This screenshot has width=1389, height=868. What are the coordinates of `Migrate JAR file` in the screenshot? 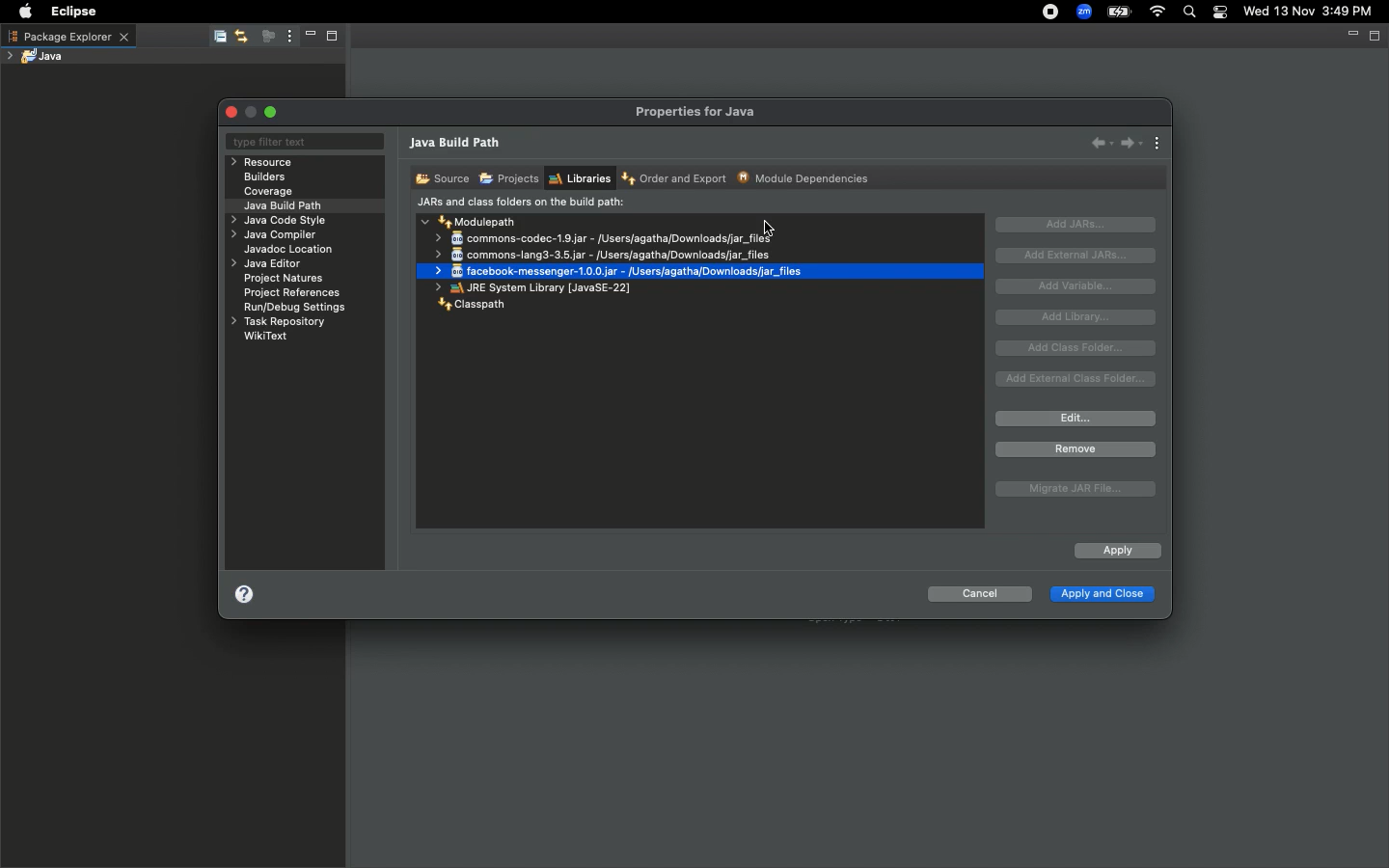 It's located at (1073, 490).